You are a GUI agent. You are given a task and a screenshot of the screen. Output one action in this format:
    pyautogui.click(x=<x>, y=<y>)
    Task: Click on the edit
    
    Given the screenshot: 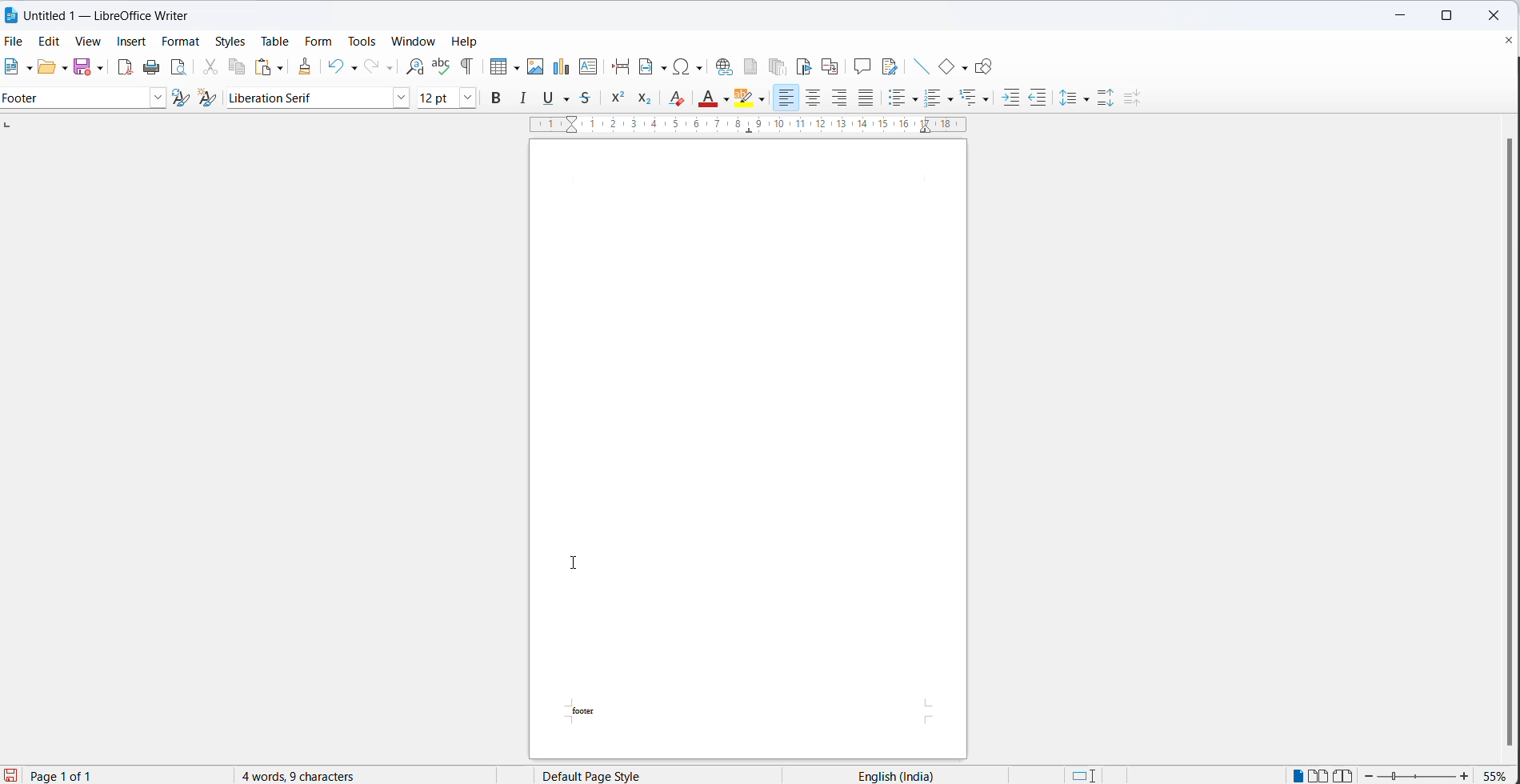 What is the action you would take?
    pyautogui.click(x=53, y=42)
    